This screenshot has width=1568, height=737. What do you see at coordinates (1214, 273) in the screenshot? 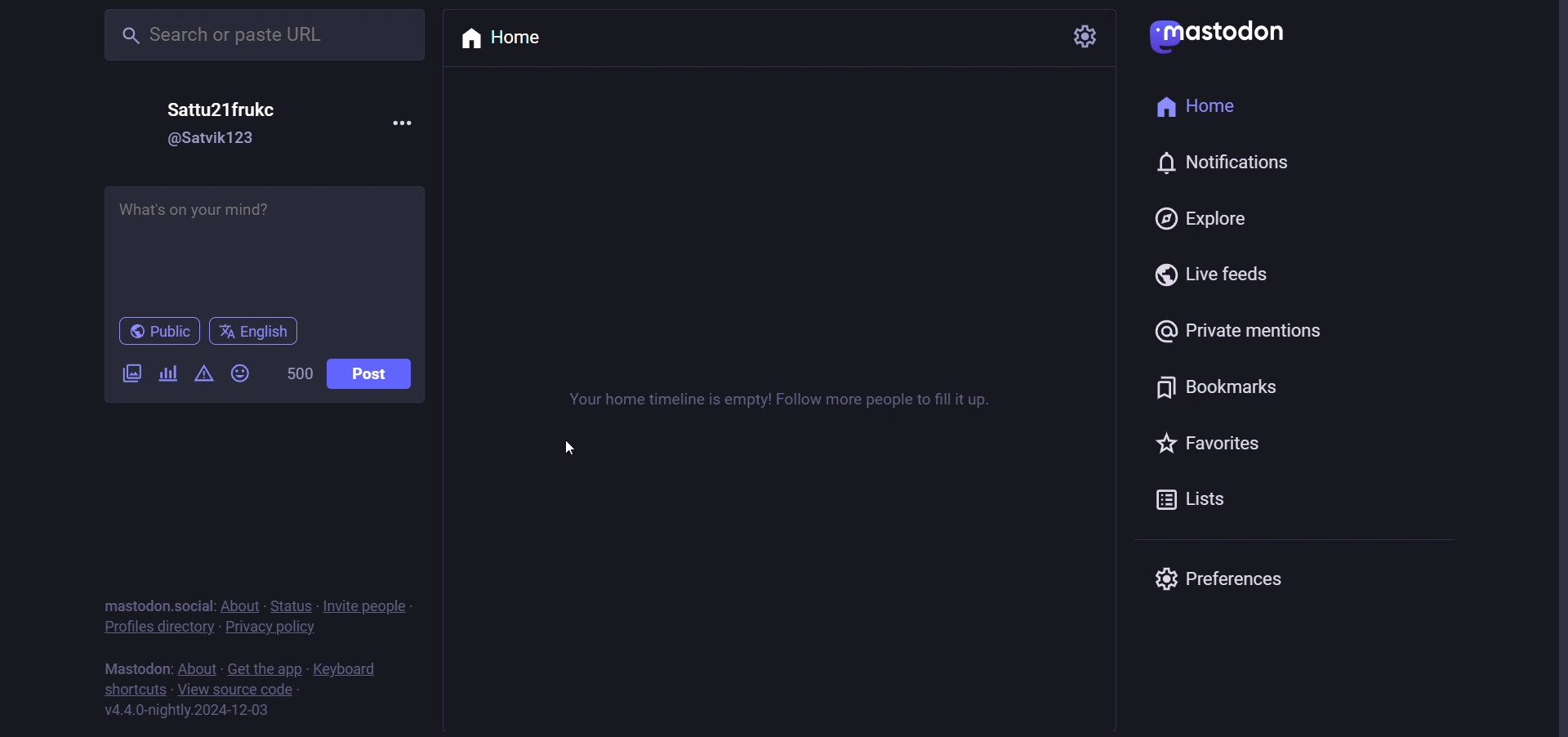
I see `live feed` at bounding box center [1214, 273].